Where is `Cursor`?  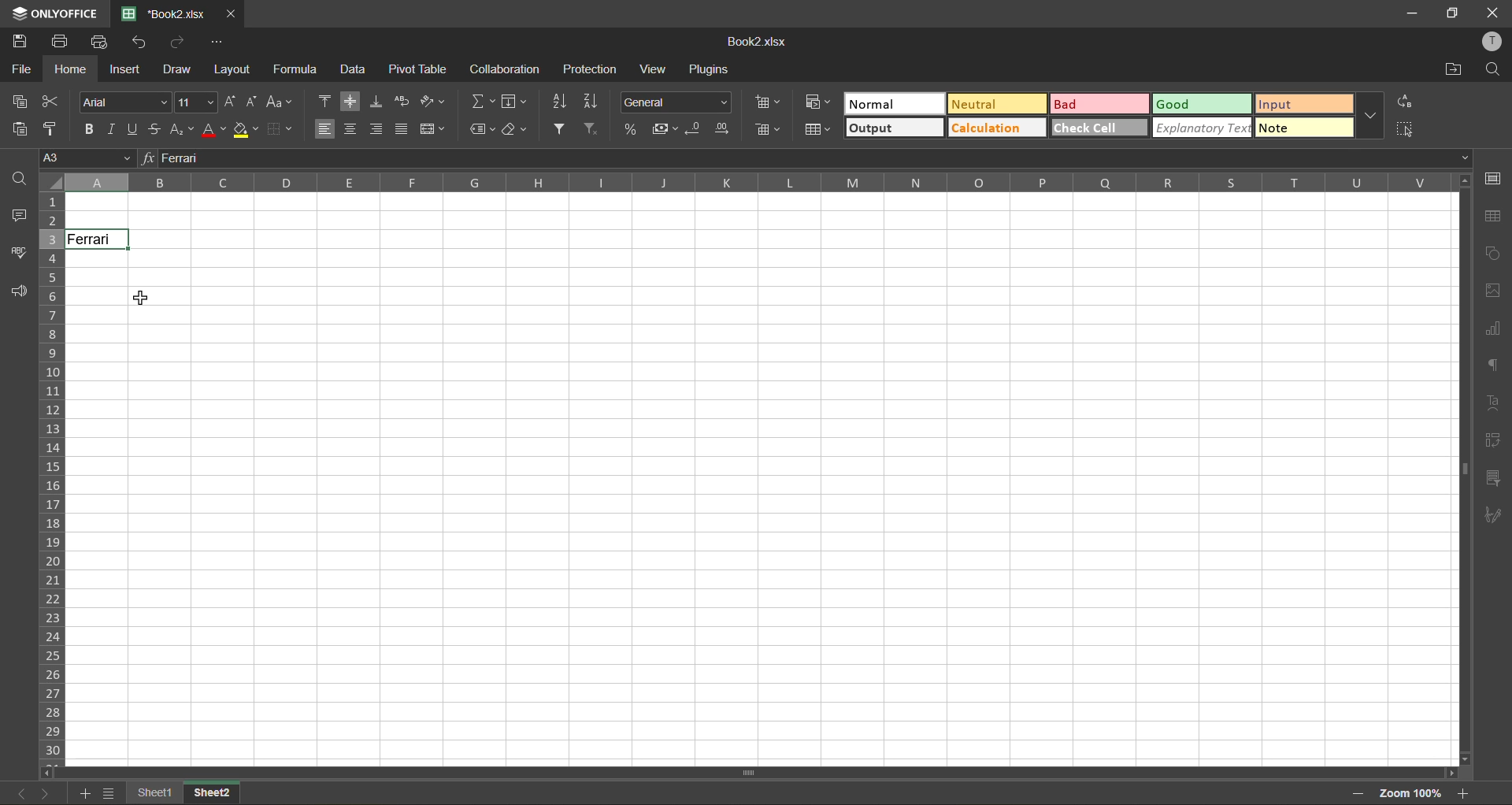 Cursor is located at coordinates (110, 244).